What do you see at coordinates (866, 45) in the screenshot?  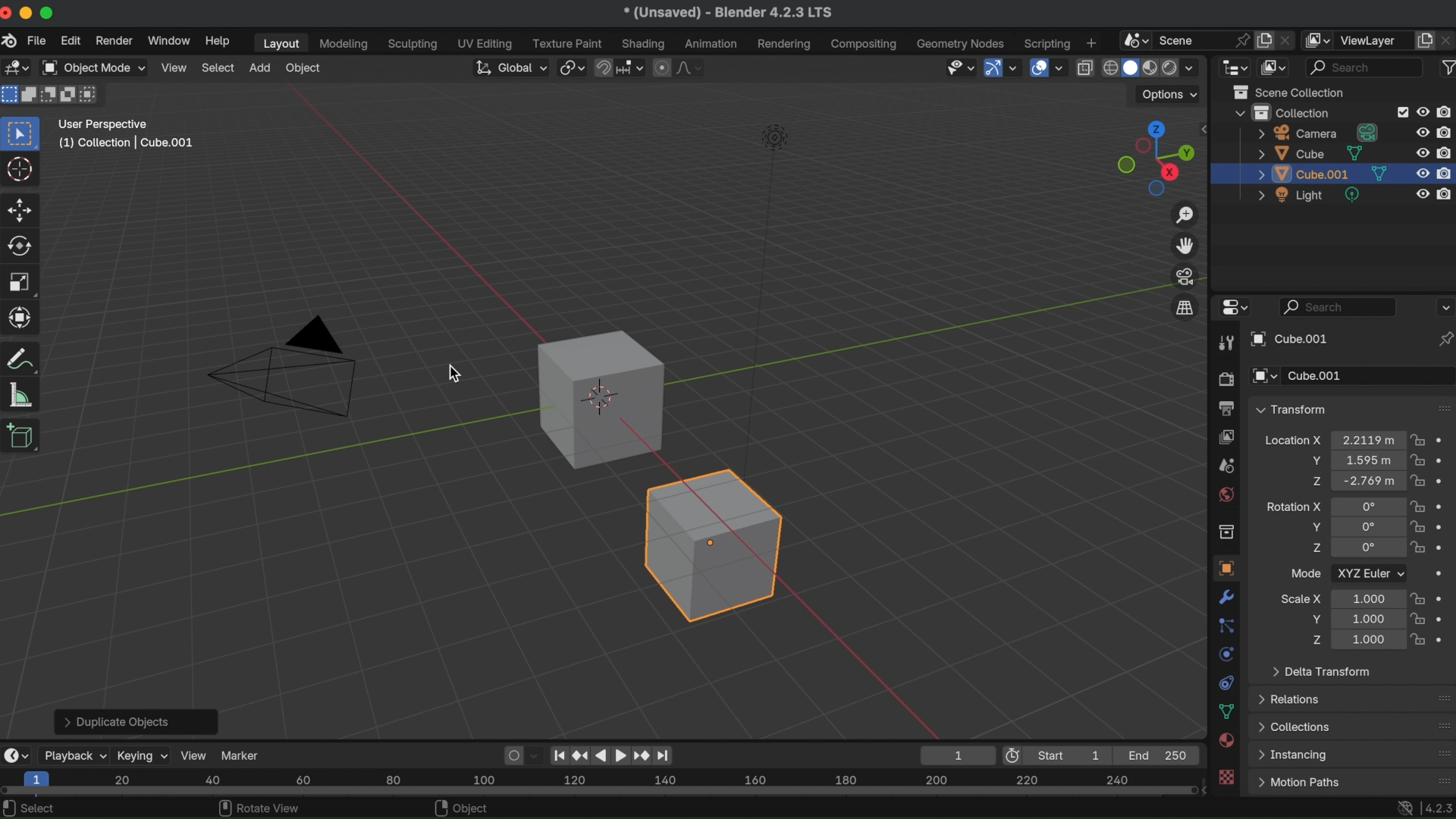 I see `composting` at bounding box center [866, 45].